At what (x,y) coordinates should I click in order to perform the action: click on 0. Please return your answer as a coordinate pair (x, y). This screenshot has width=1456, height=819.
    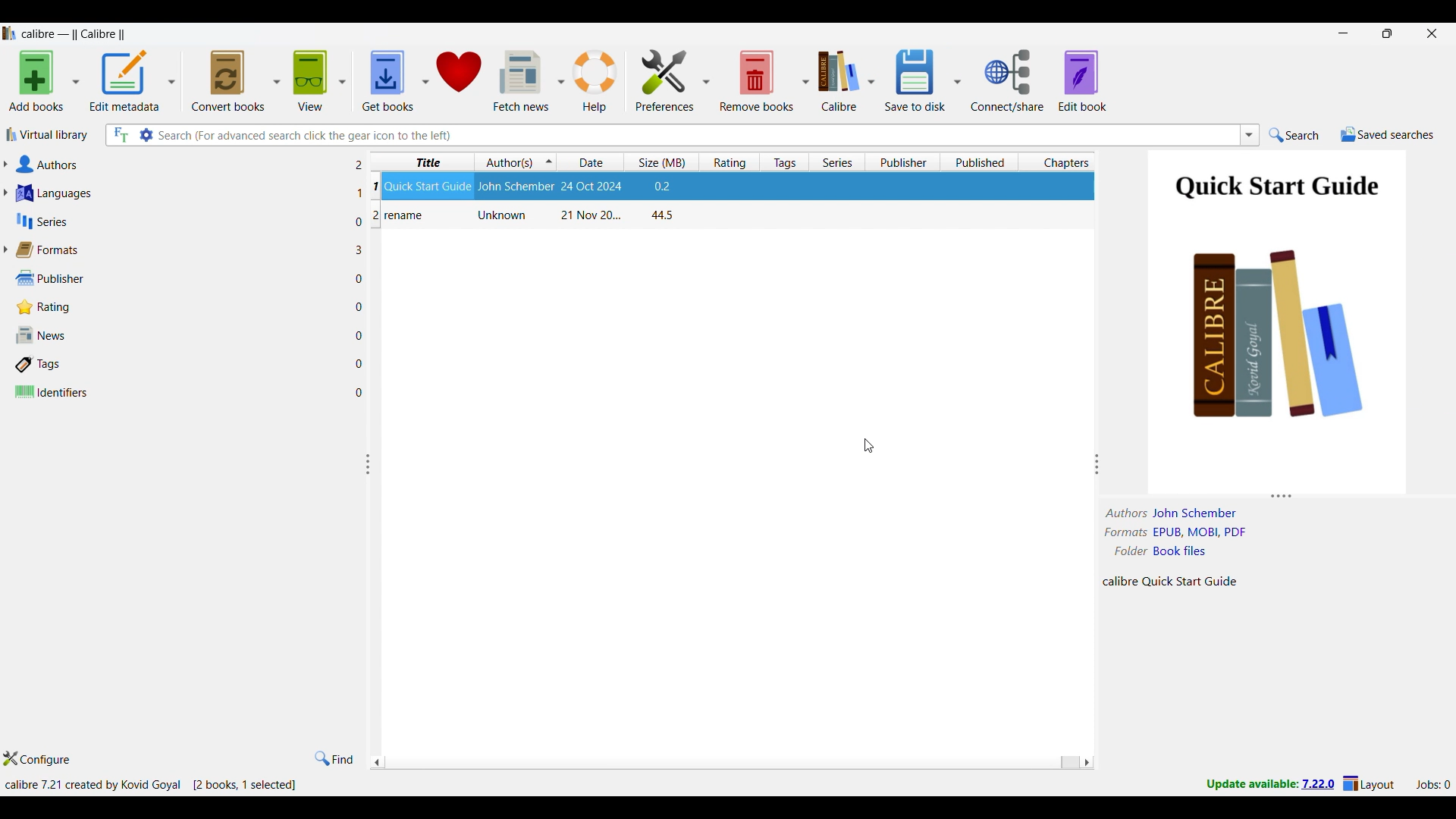
    Looking at the image, I should click on (363, 391).